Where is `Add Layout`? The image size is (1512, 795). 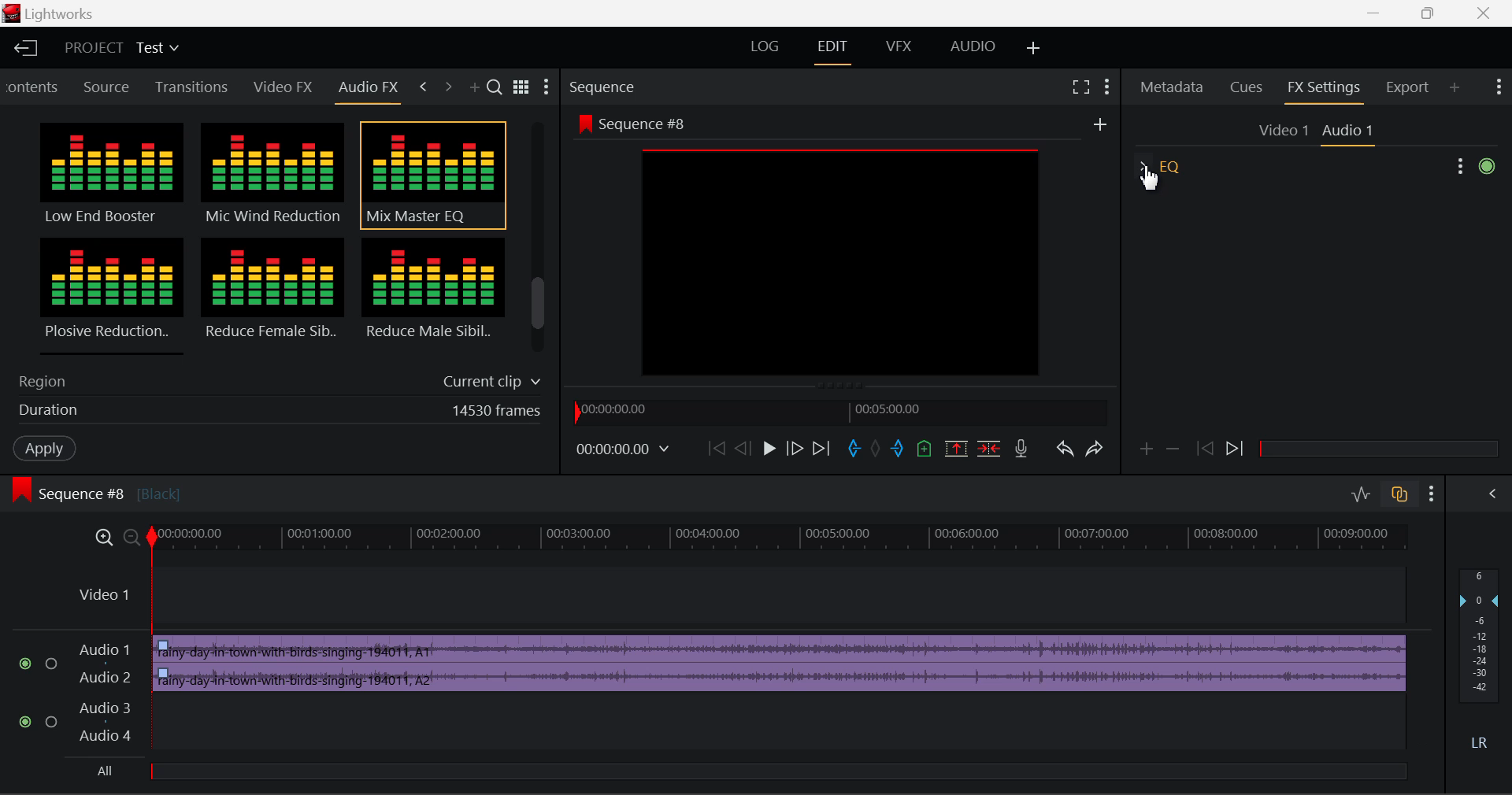 Add Layout is located at coordinates (1031, 47).